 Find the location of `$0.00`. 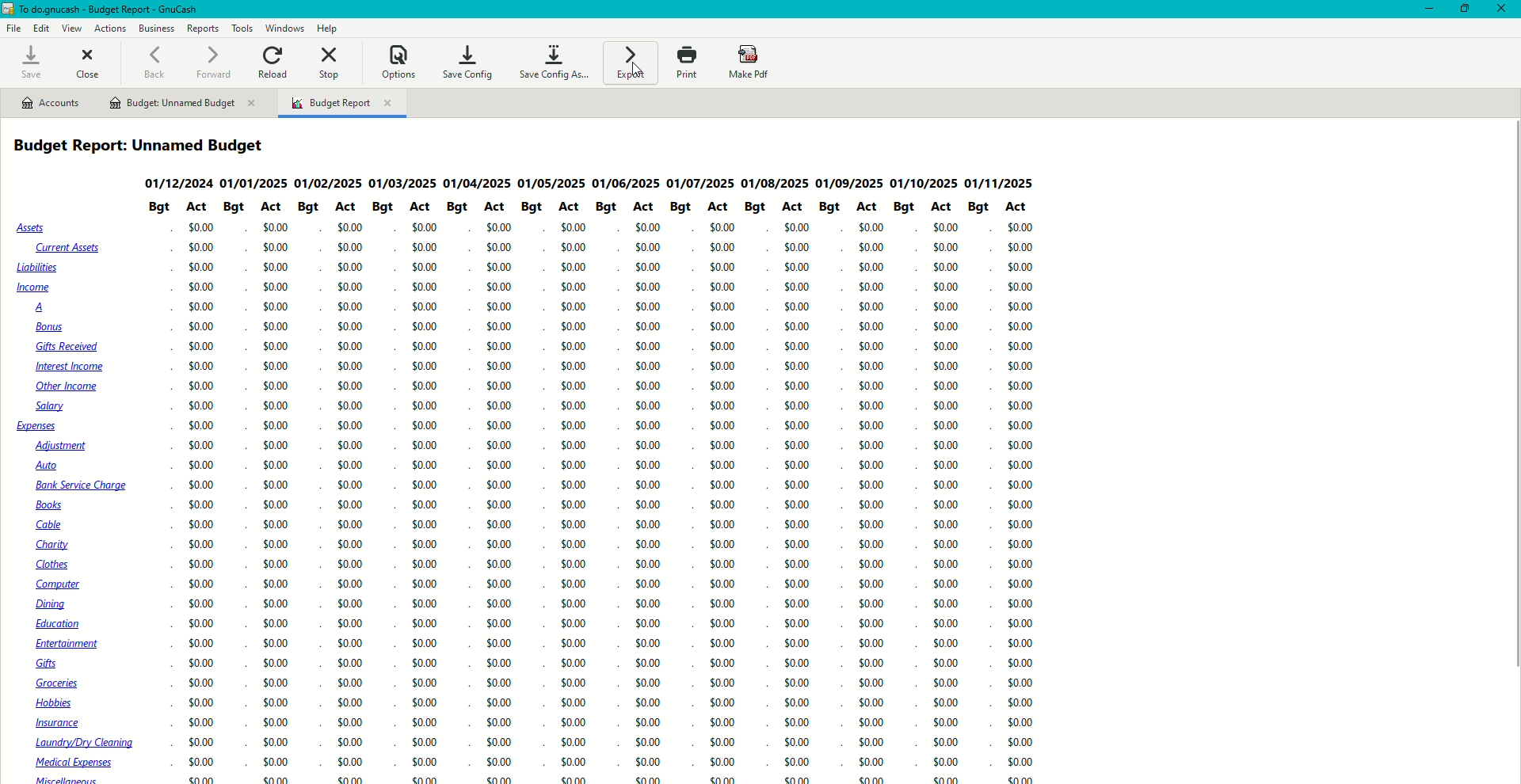

$0.00 is located at coordinates (424, 487).